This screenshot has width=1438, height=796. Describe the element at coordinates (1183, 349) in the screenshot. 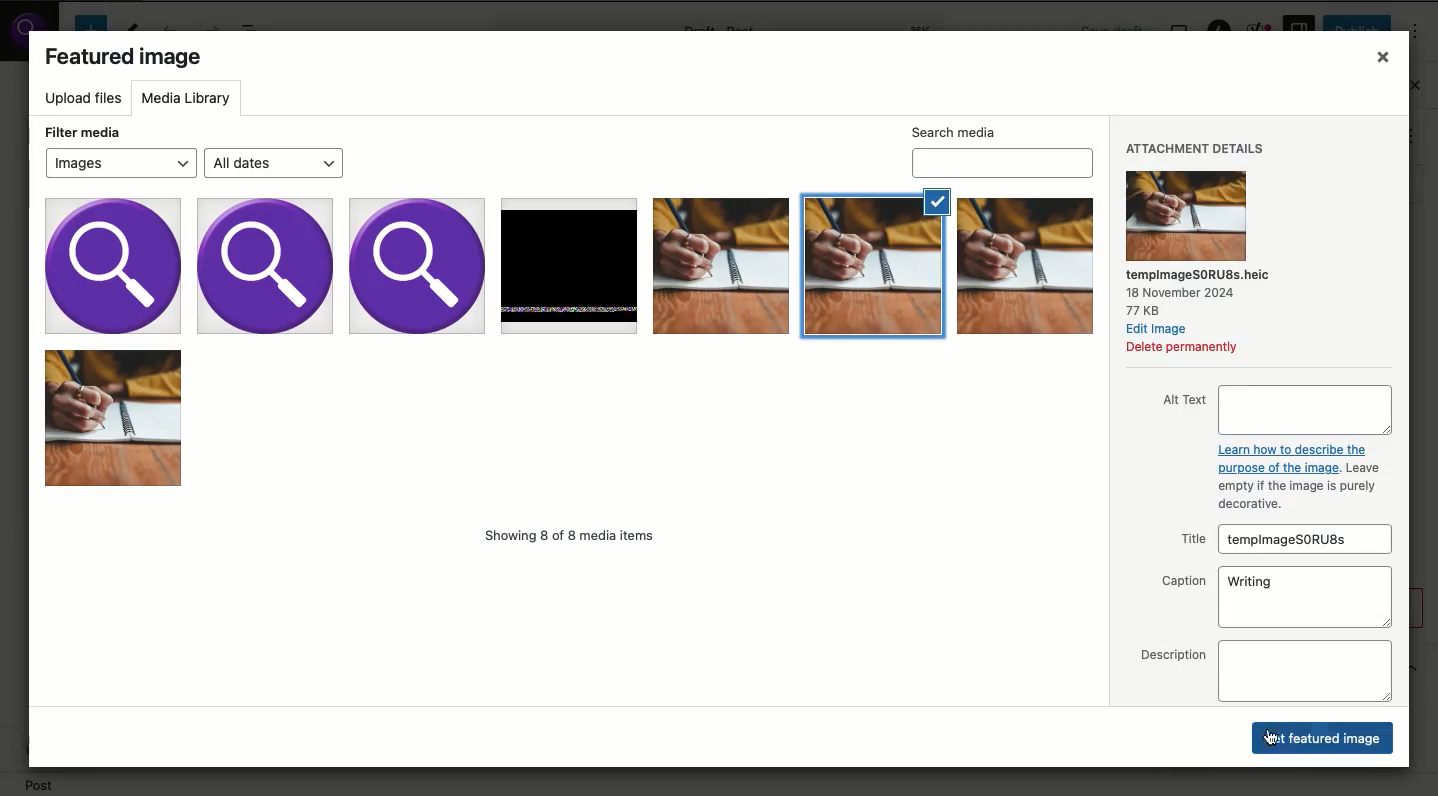

I see `Delete permanently ` at that location.